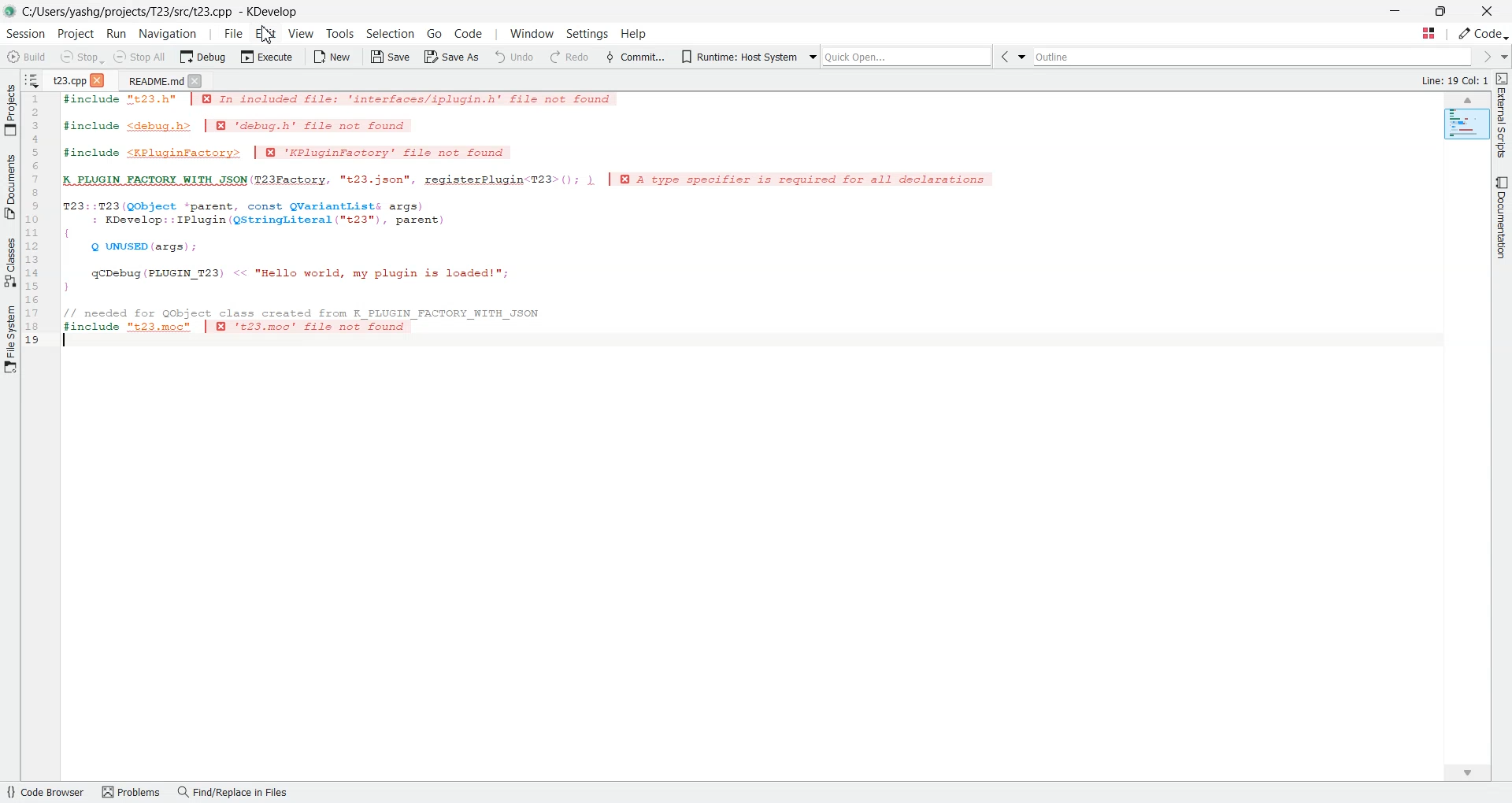  Describe the element at coordinates (1499, 216) in the screenshot. I see `Documention` at that location.